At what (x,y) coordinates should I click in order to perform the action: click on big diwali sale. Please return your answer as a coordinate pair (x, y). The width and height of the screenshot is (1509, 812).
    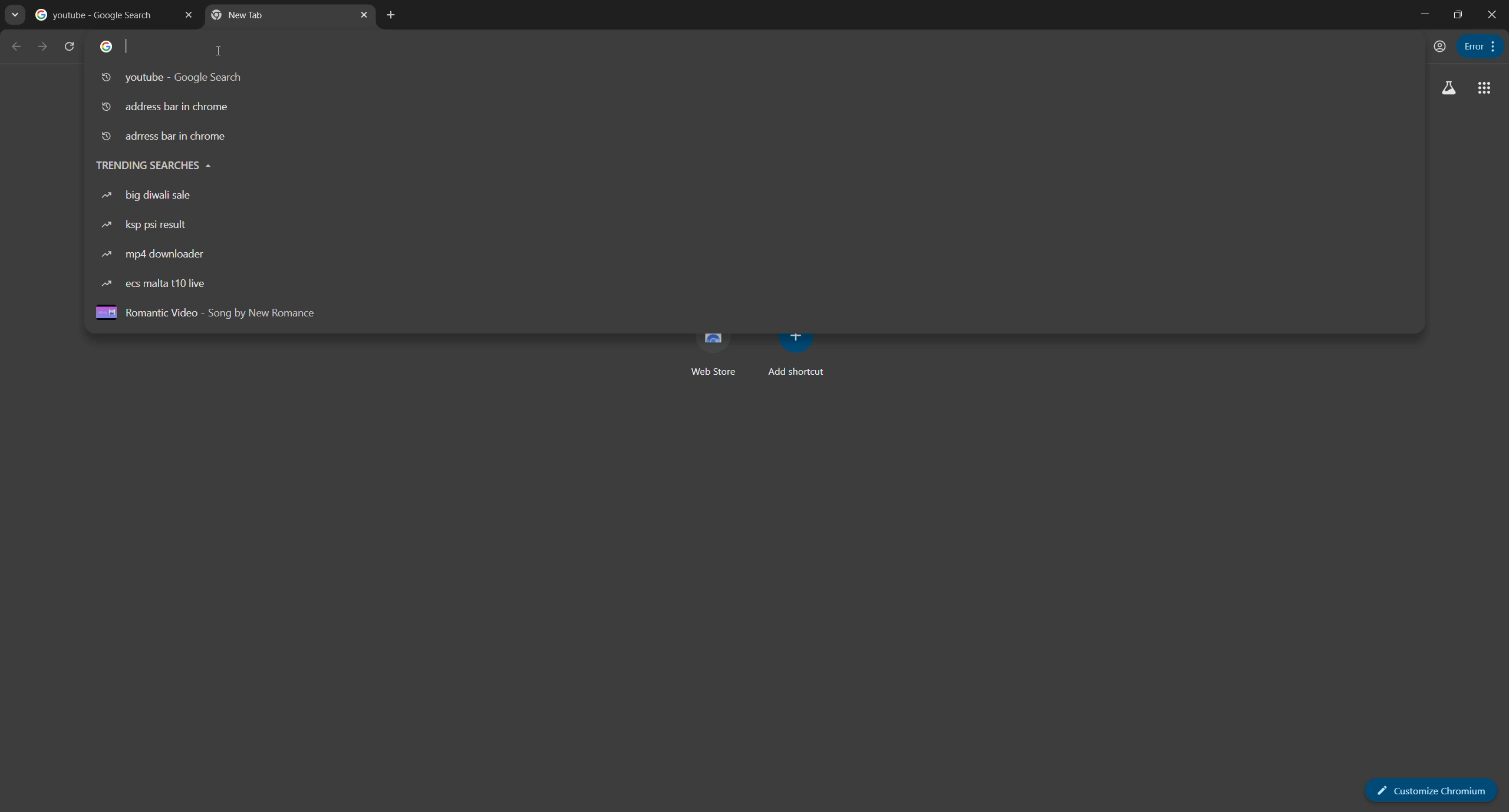
    Looking at the image, I should click on (146, 196).